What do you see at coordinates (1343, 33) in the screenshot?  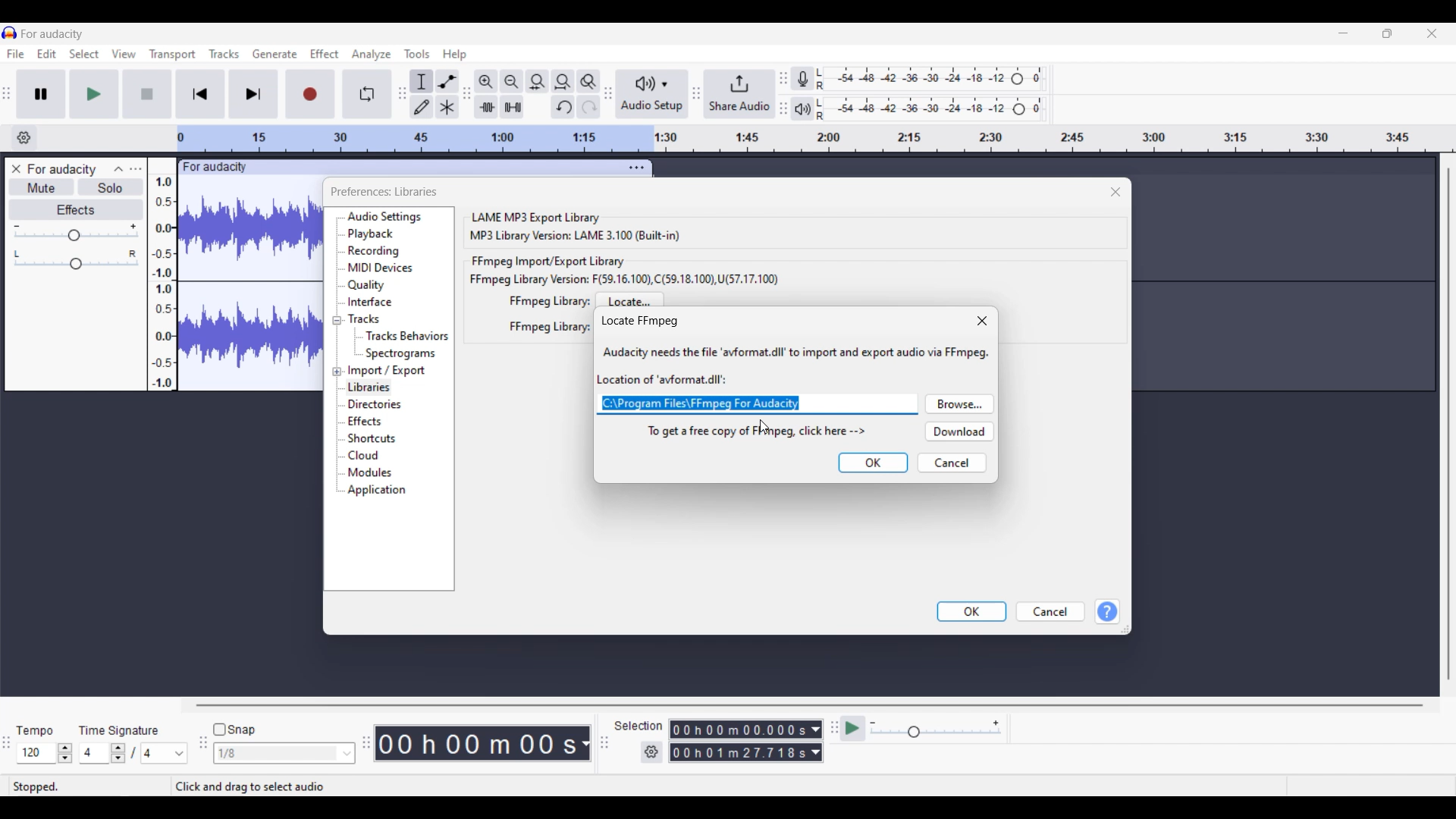 I see `Minimize` at bounding box center [1343, 33].